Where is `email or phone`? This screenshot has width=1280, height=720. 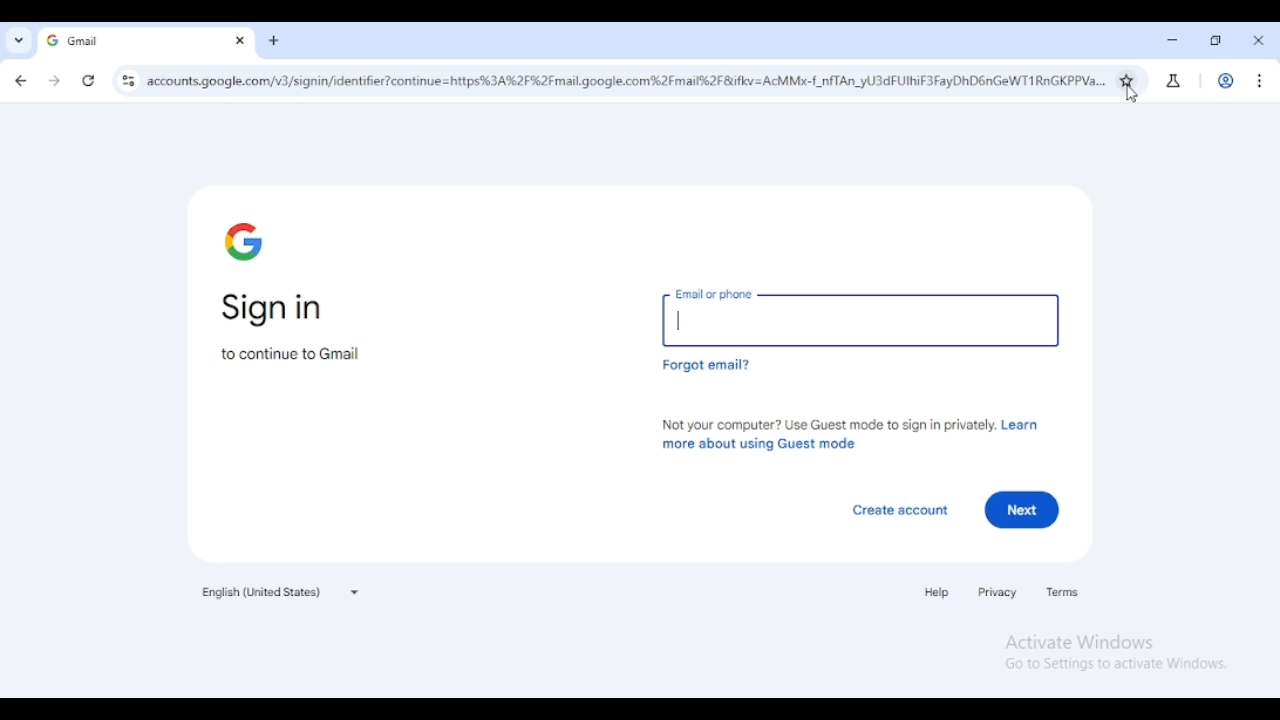 email or phone is located at coordinates (860, 314).